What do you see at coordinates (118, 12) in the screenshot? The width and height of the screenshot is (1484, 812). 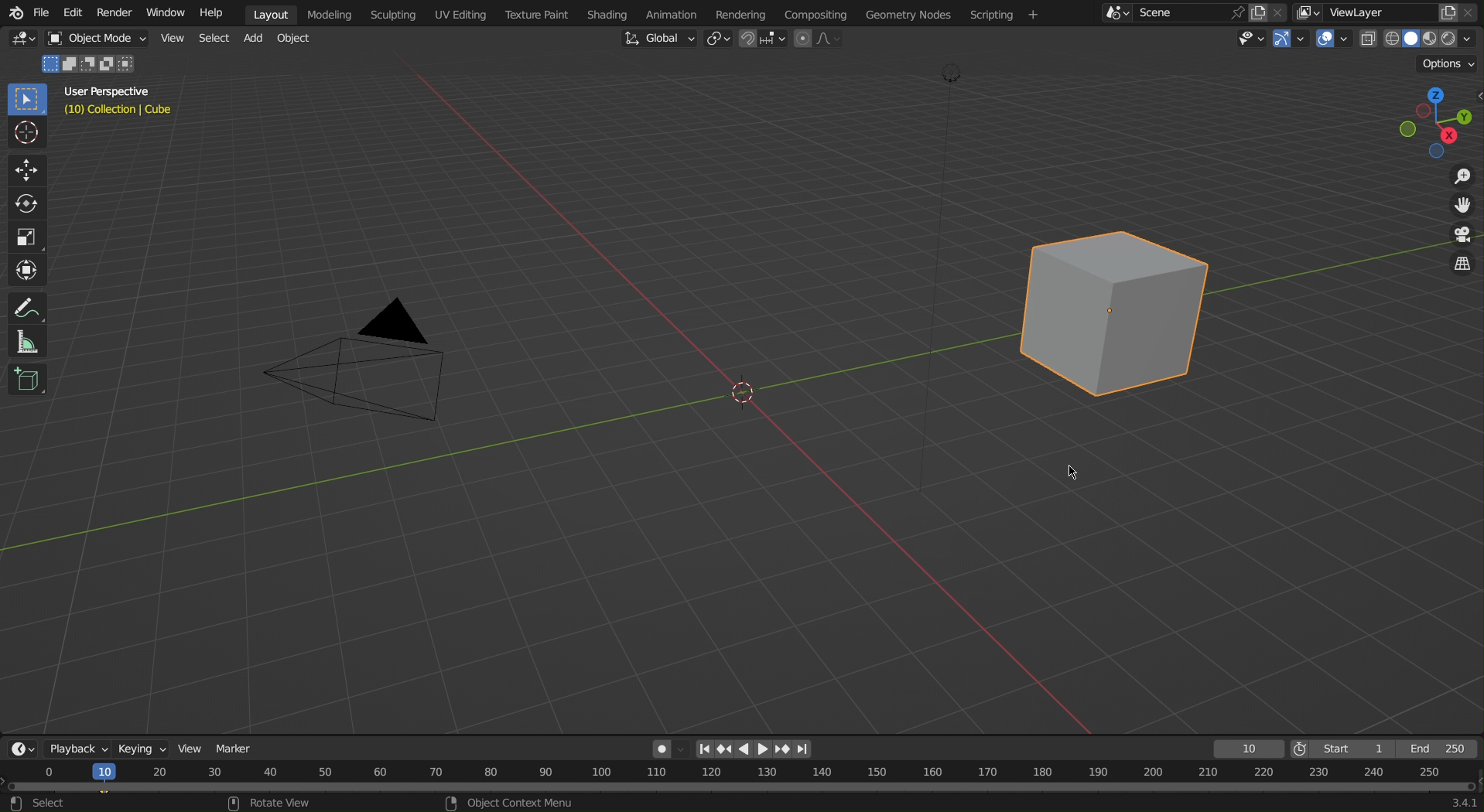 I see `Render` at bounding box center [118, 12].